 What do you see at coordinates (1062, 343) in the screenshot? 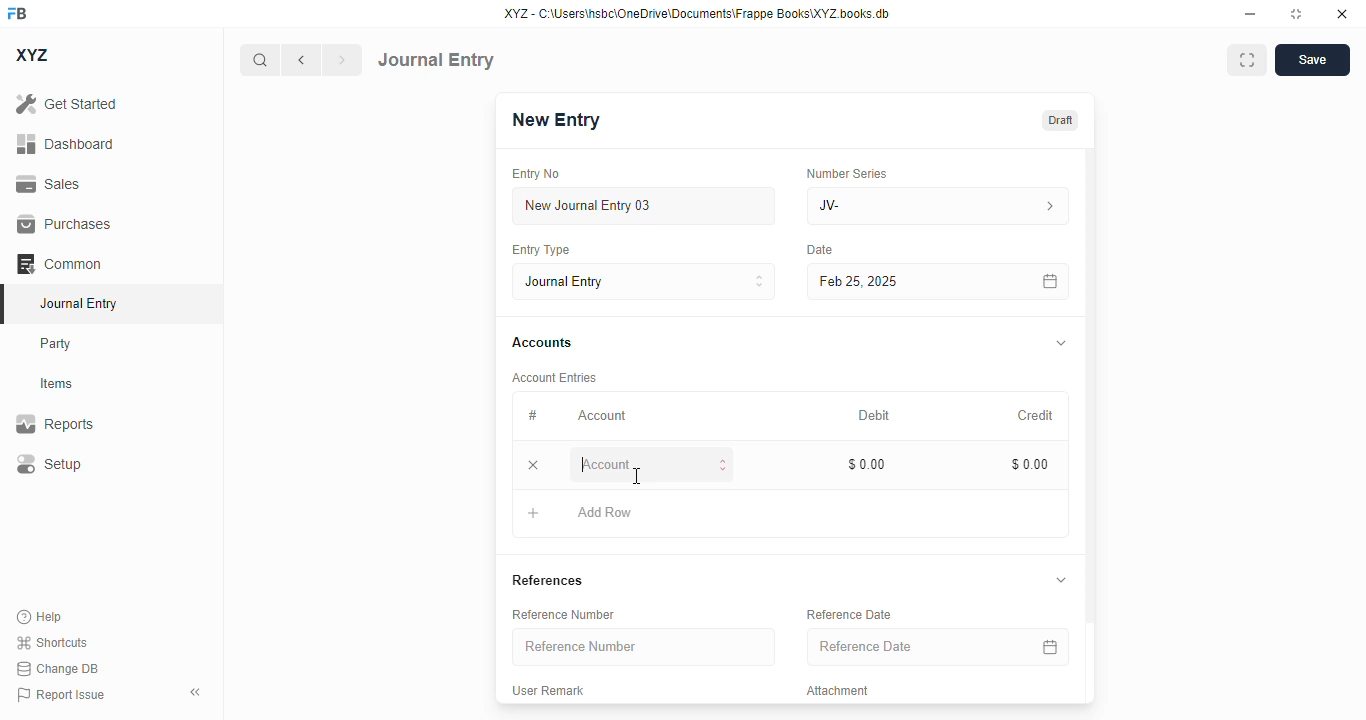
I see `toggle expand/collapse` at bounding box center [1062, 343].